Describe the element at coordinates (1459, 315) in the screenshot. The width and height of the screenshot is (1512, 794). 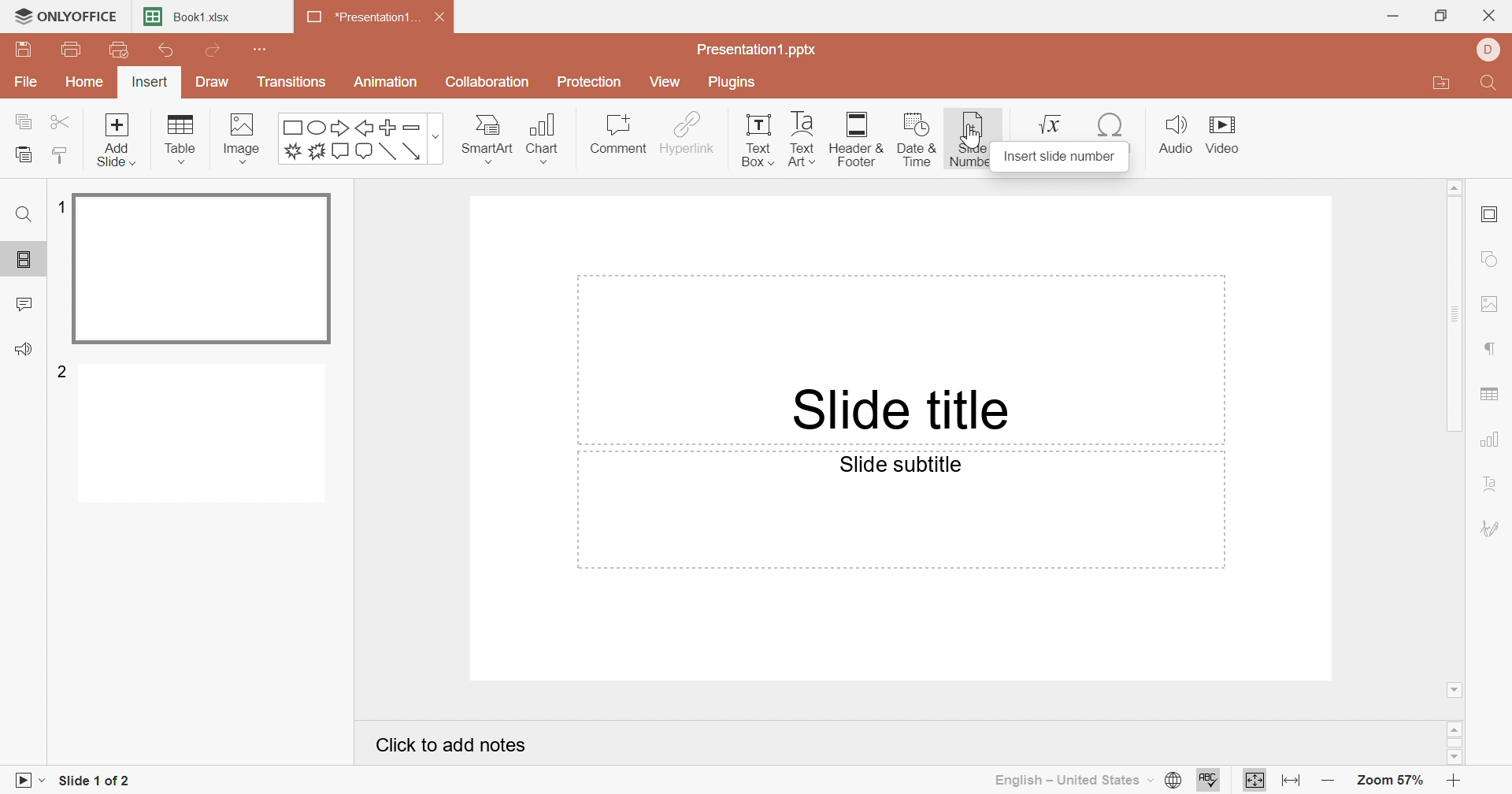
I see `Scroll Bar` at that location.